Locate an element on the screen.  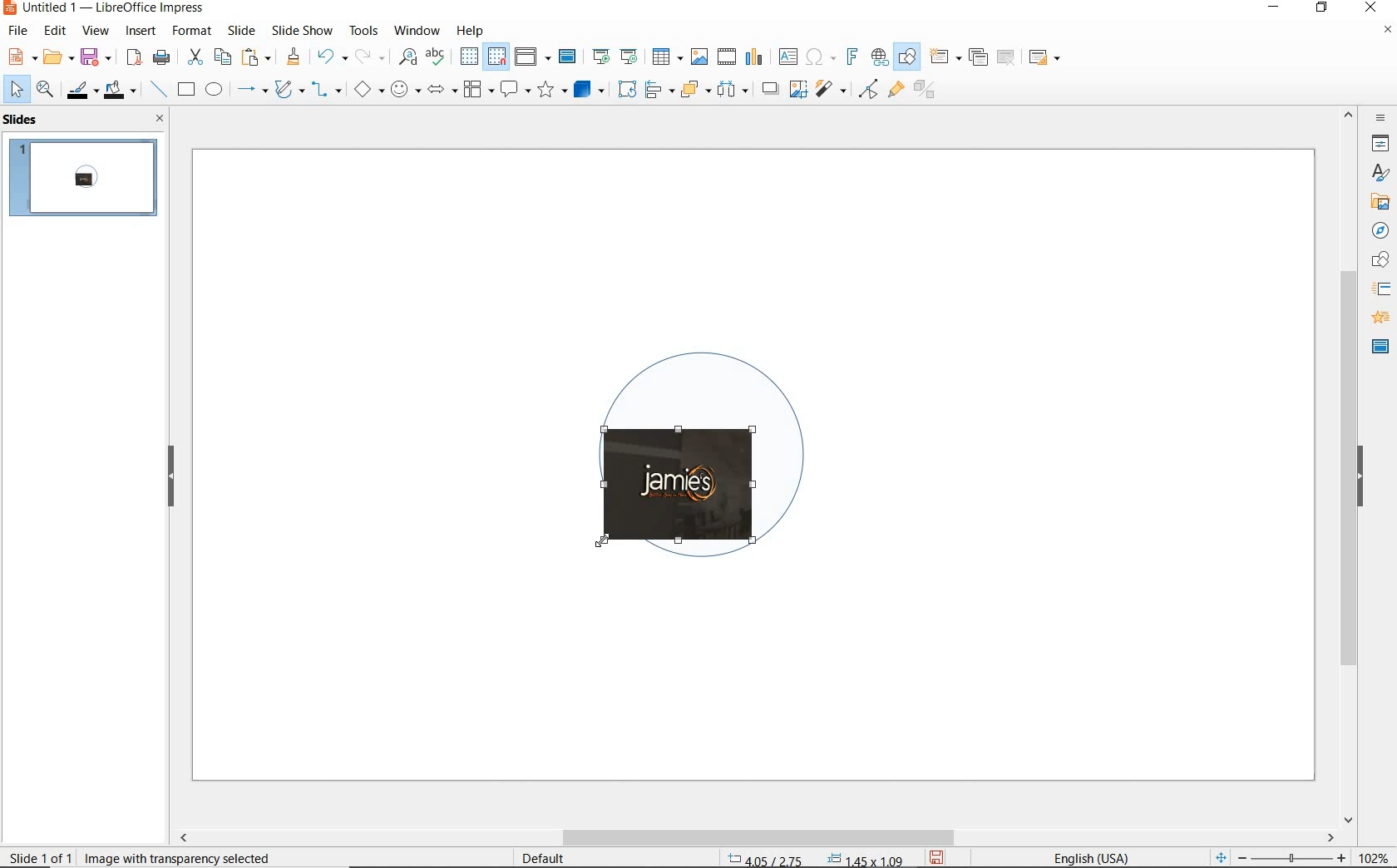
insert fontwork text is located at coordinates (850, 57).